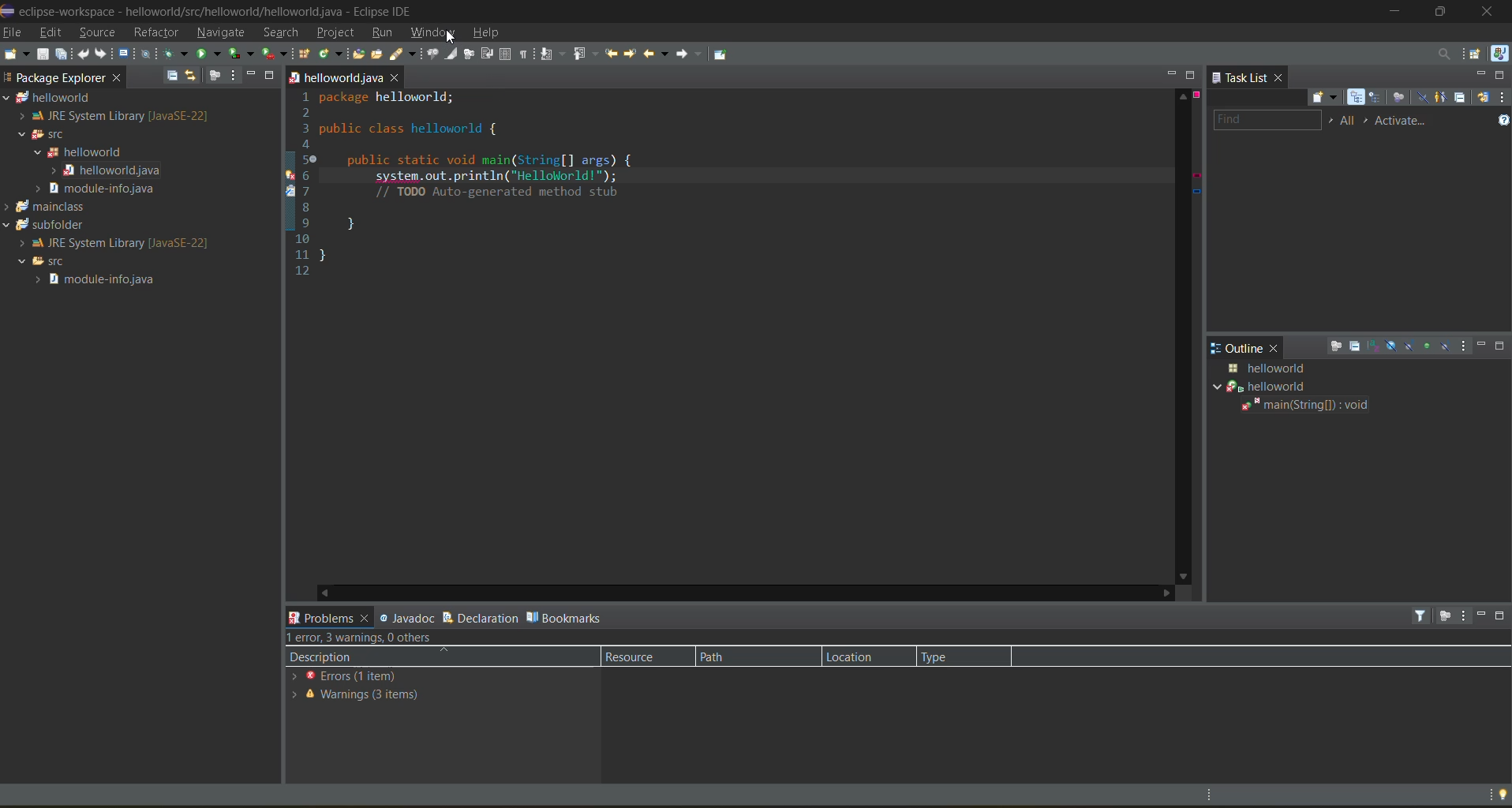  What do you see at coordinates (175, 54) in the screenshot?
I see `debug` at bounding box center [175, 54].